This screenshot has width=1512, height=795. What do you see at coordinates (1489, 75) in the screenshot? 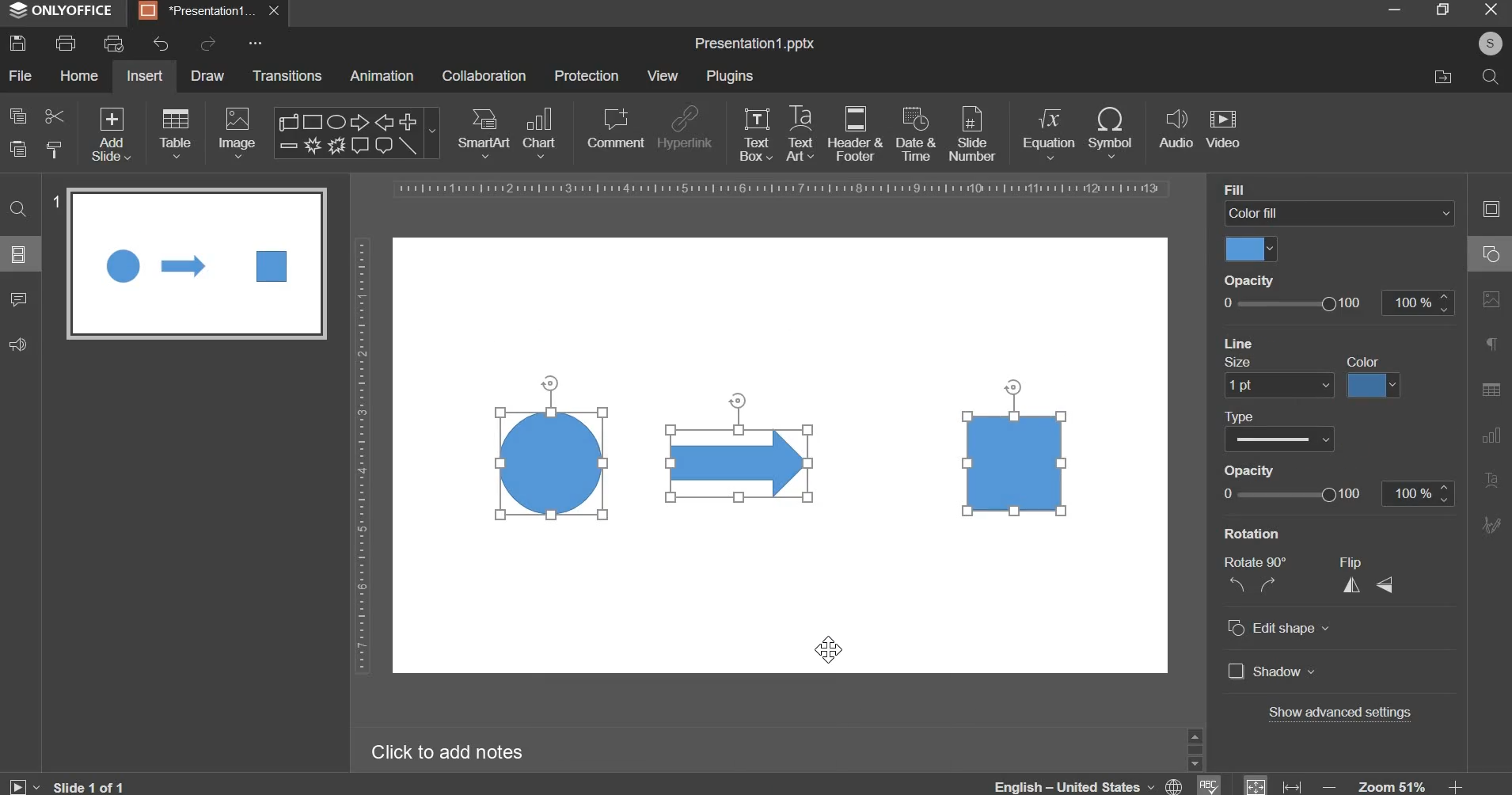
I see `search` at bounding box center [1489, 75].